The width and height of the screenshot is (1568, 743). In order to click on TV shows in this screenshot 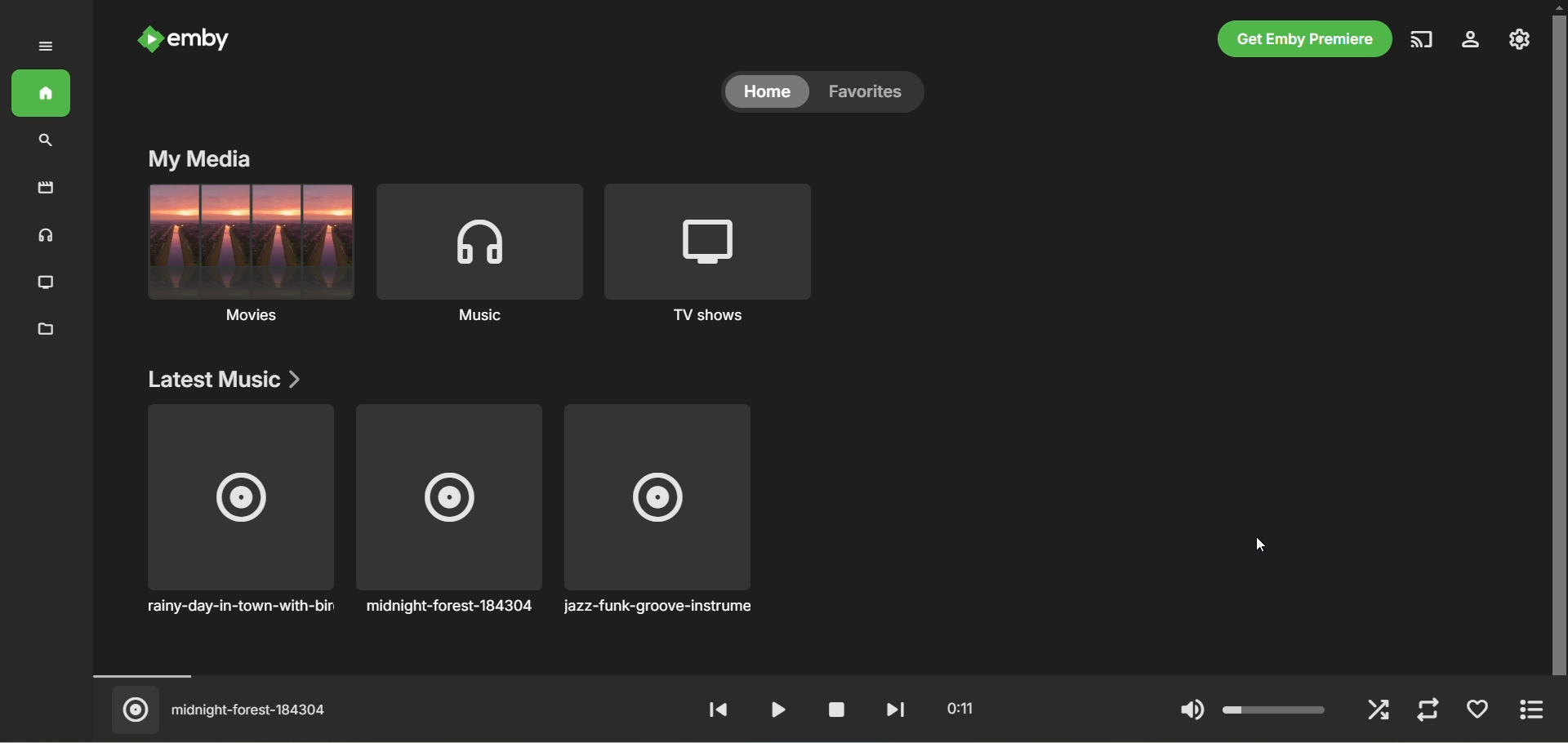, I will do `click(42, 283)`.